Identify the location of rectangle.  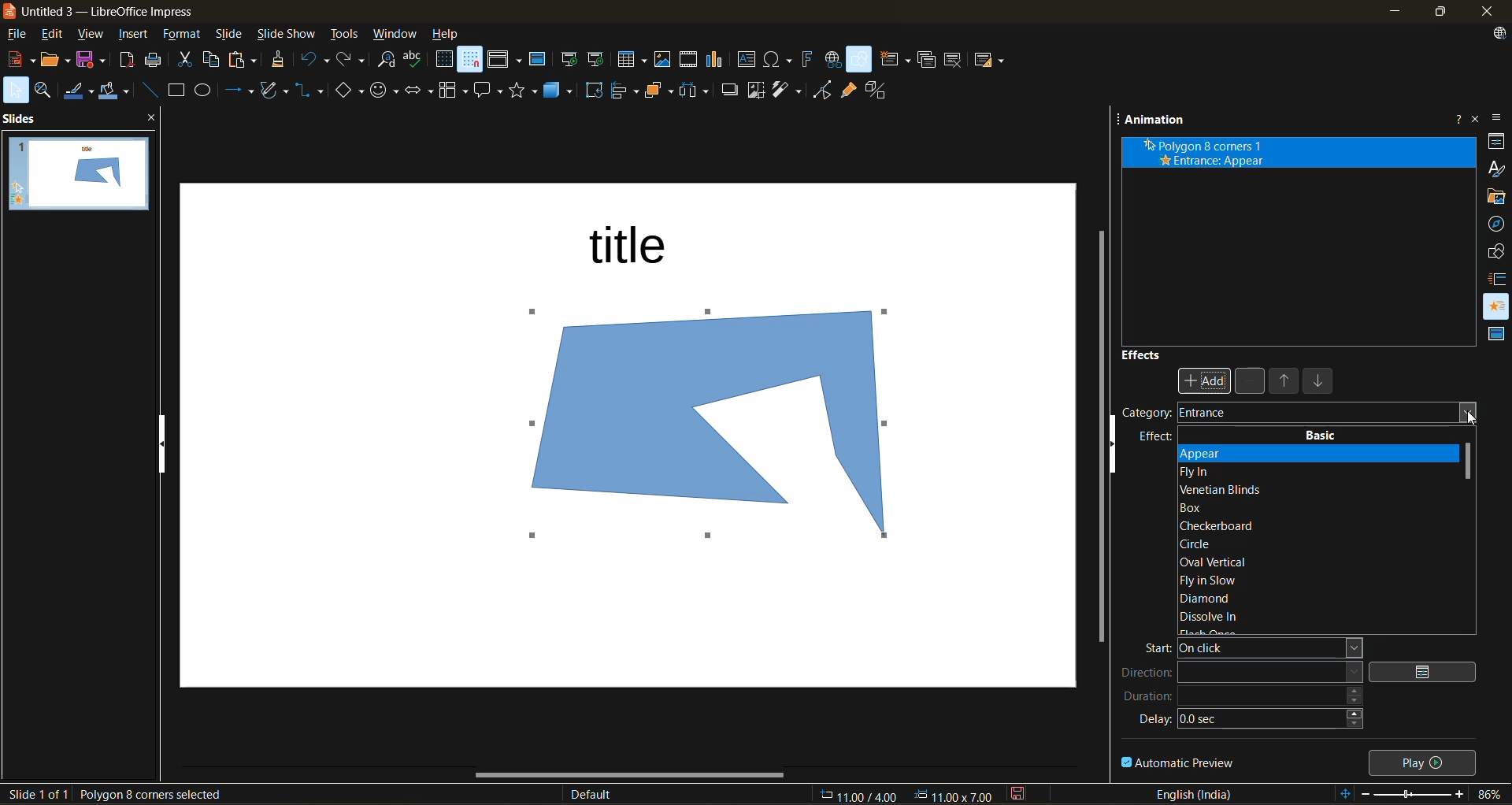
(175, 90).